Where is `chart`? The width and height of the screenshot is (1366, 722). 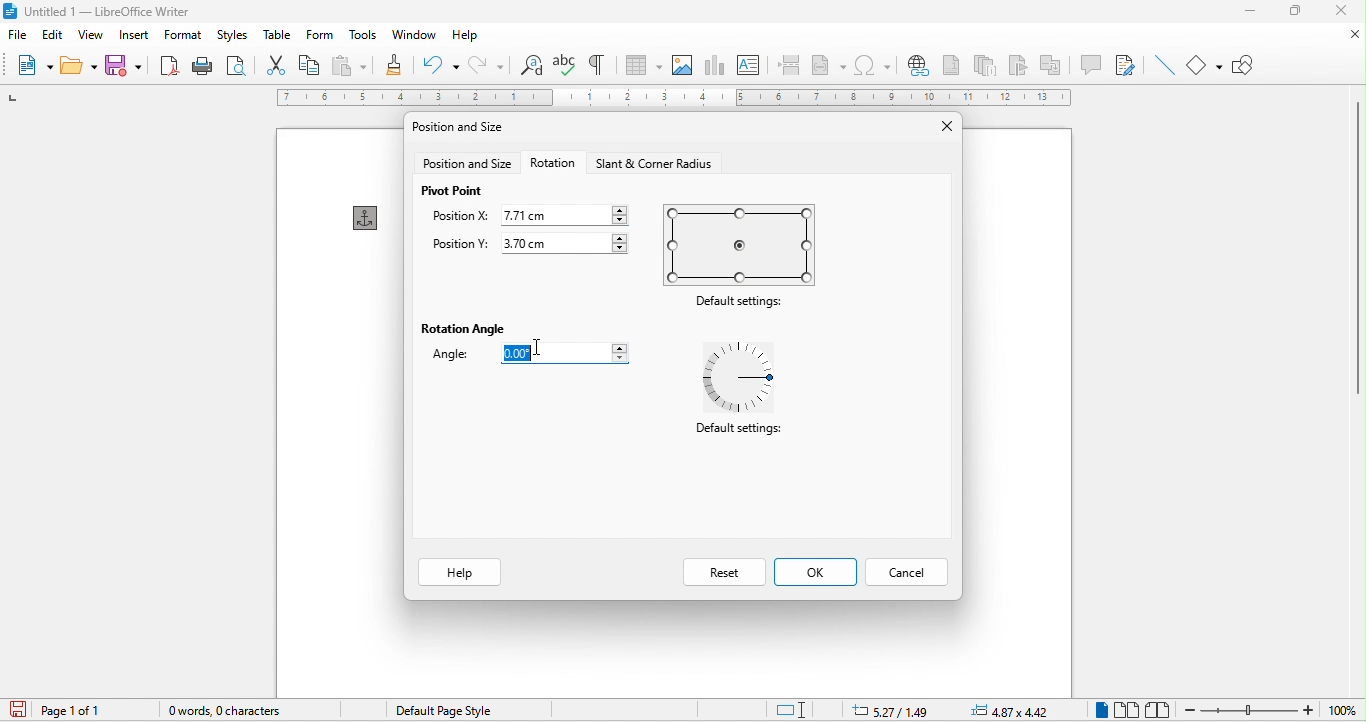
chart is located at coordinates (718, 65).